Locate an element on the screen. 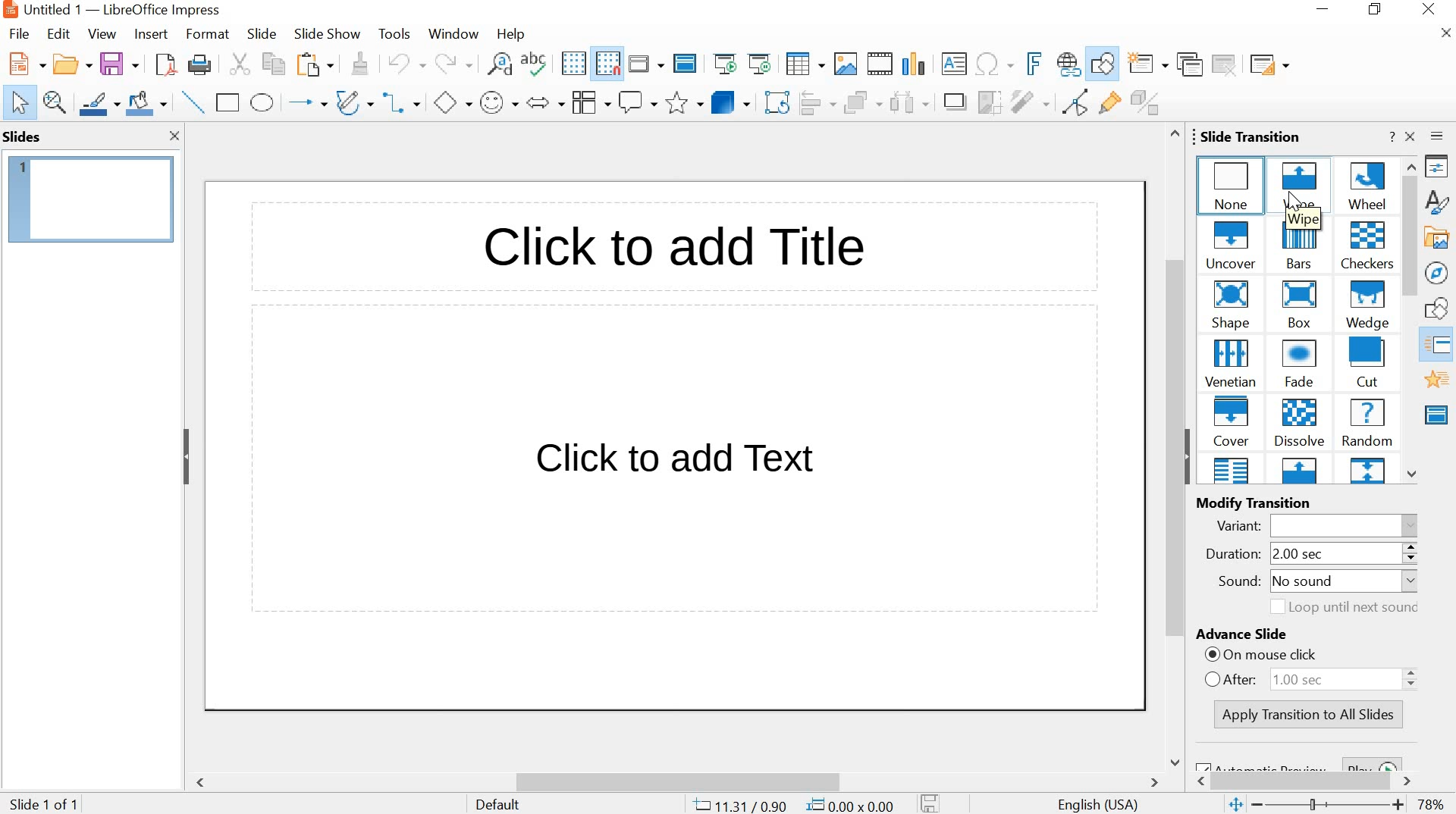  Click to add Text is located at coordinates (679, 461).